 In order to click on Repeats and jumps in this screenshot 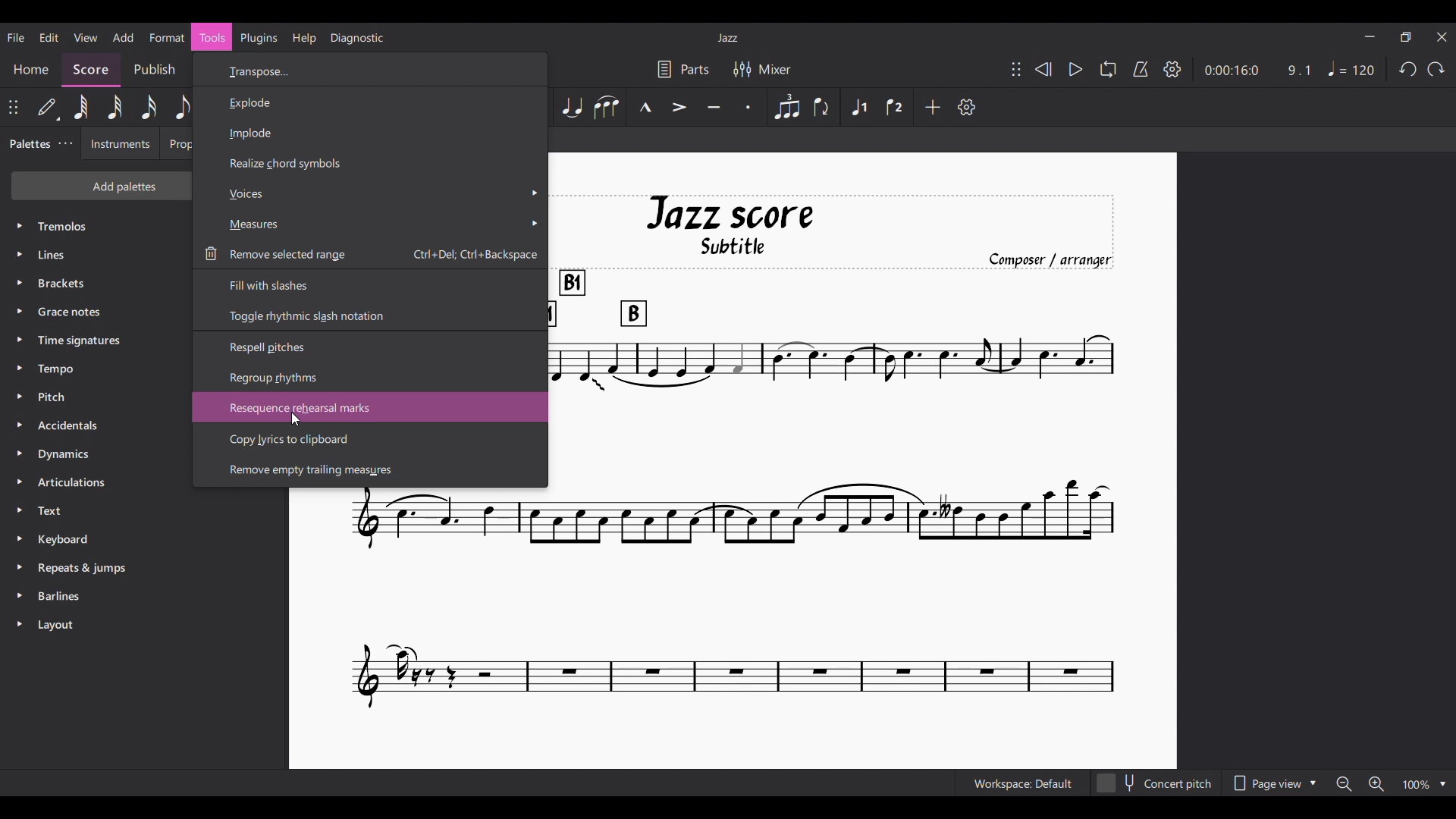, I will do `click(144, 568)`.